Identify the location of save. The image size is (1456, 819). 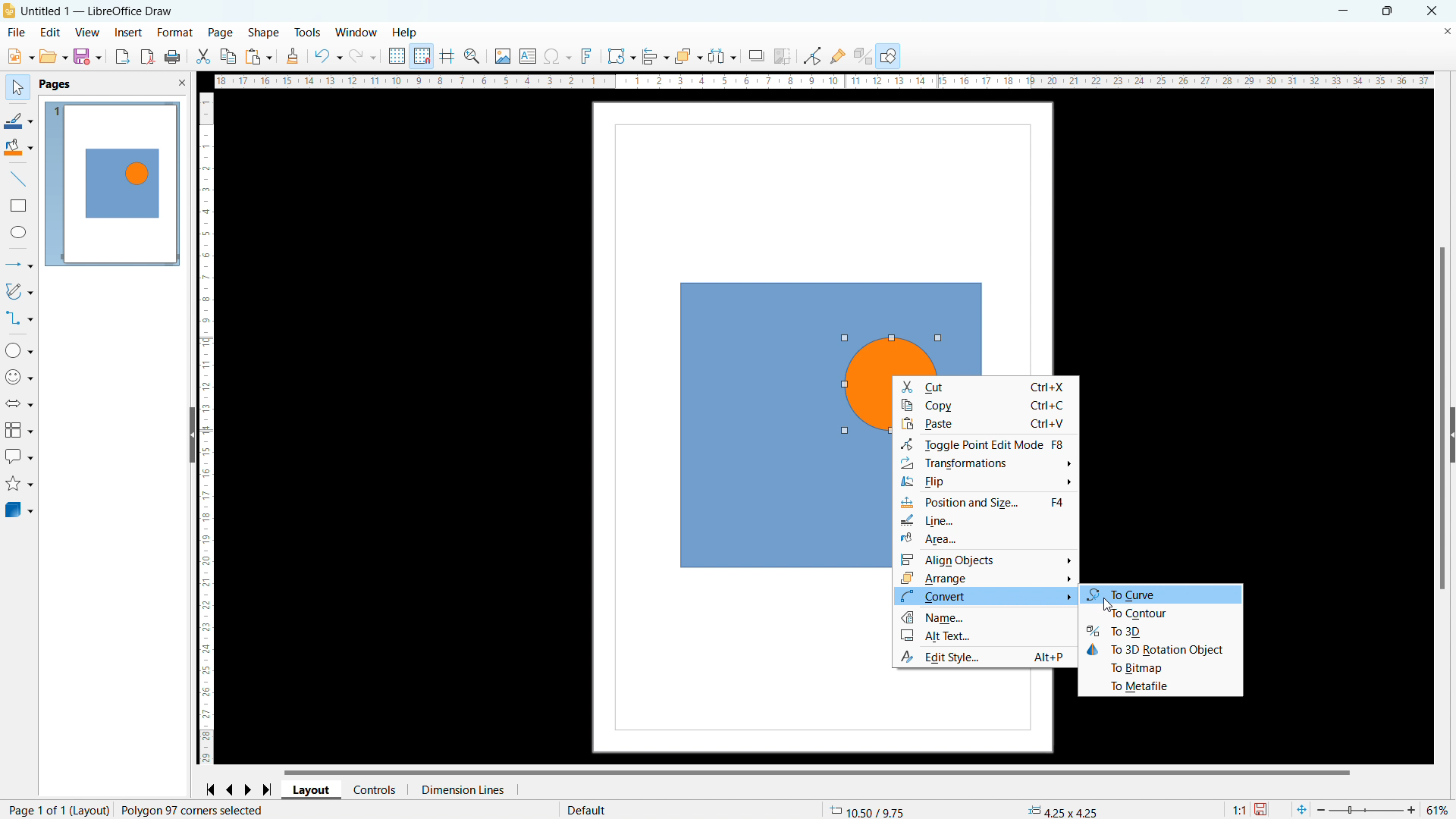
(1263, 808).